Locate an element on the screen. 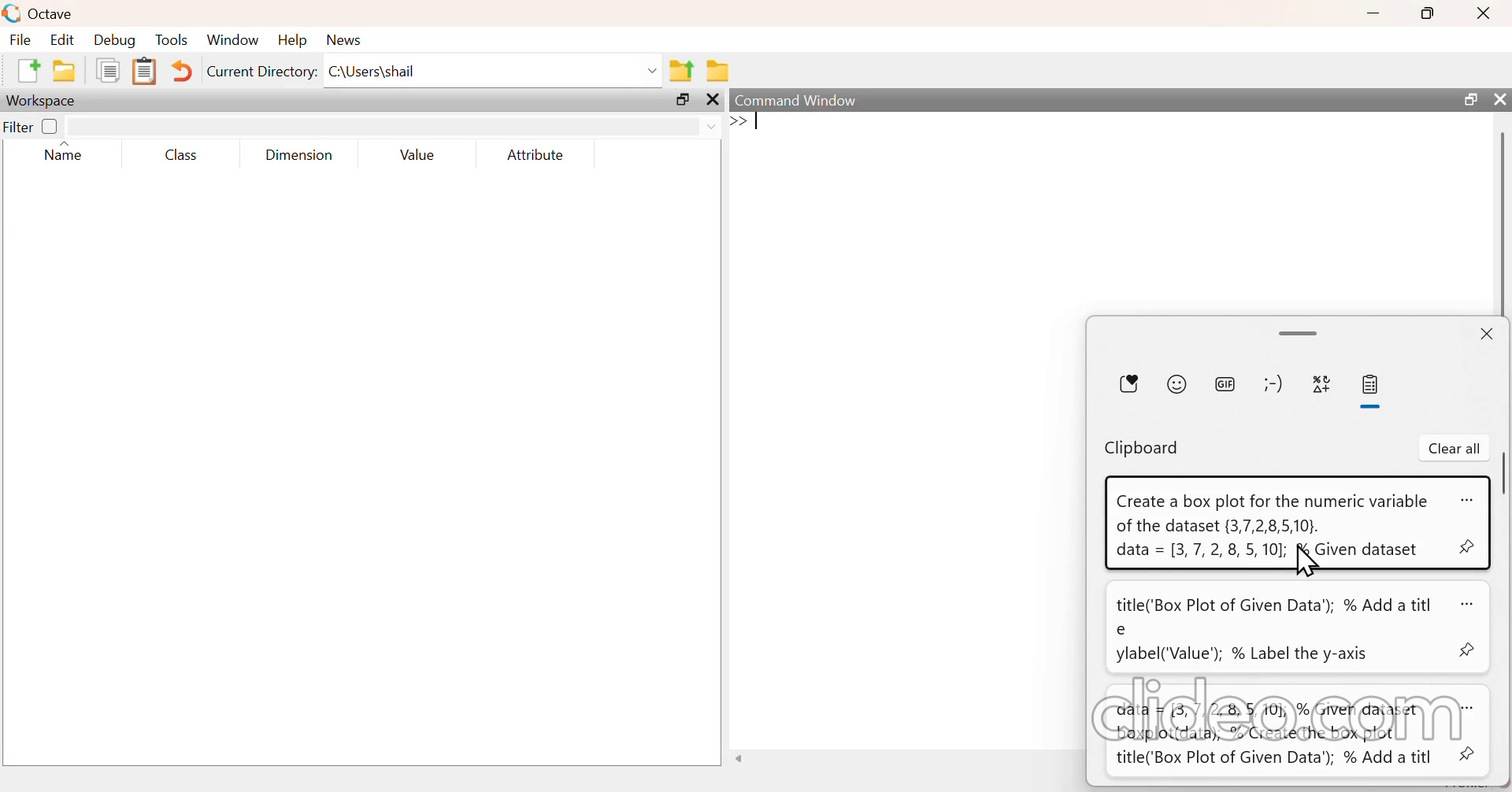 The height and width of the screenshot is (792, 1512). copy is located at coordinates (103, 72).